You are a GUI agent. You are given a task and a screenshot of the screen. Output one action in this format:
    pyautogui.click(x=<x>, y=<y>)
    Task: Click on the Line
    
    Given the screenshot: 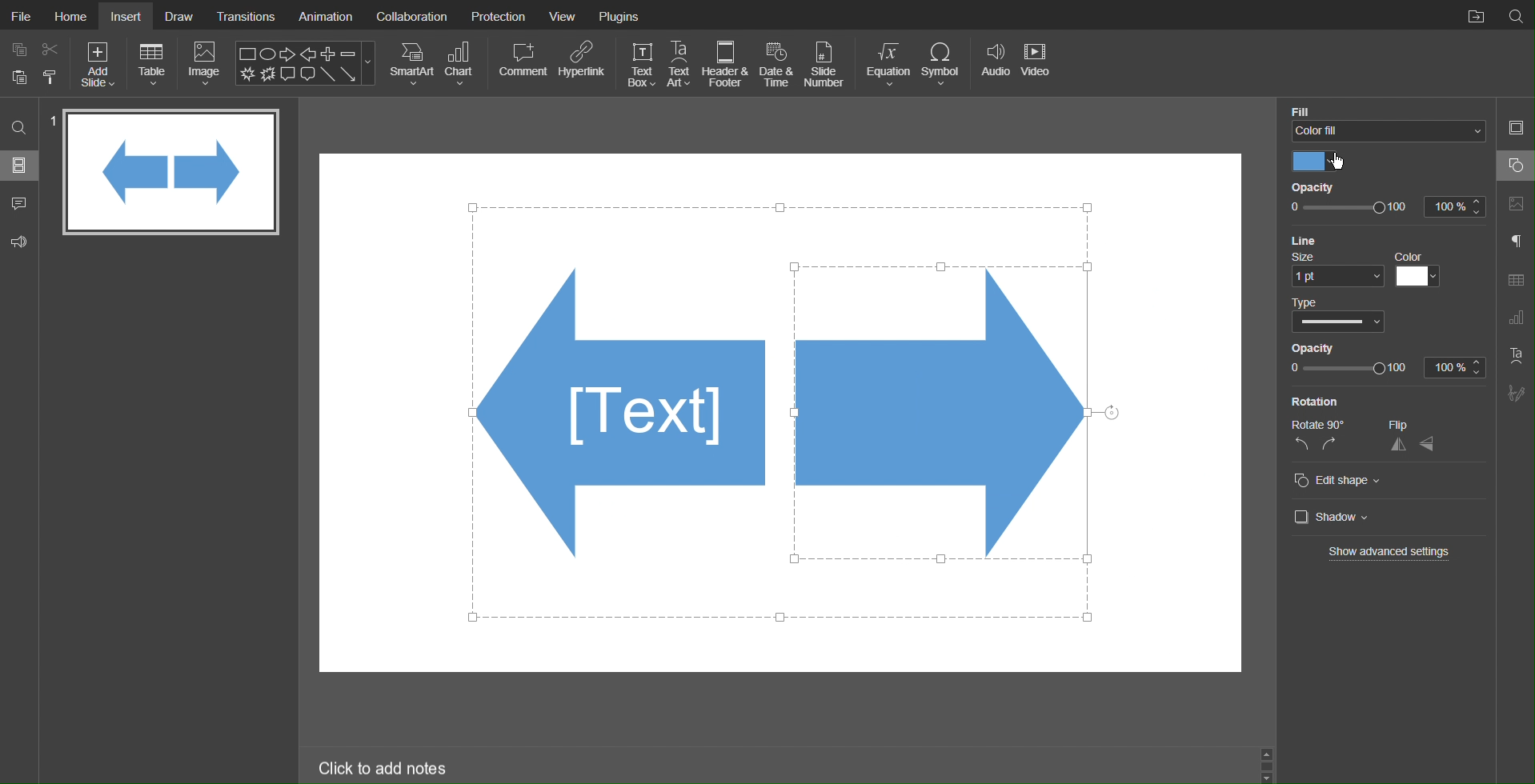 What is the action you would take?
    pyautogui.click(x=1339, y=240)
    